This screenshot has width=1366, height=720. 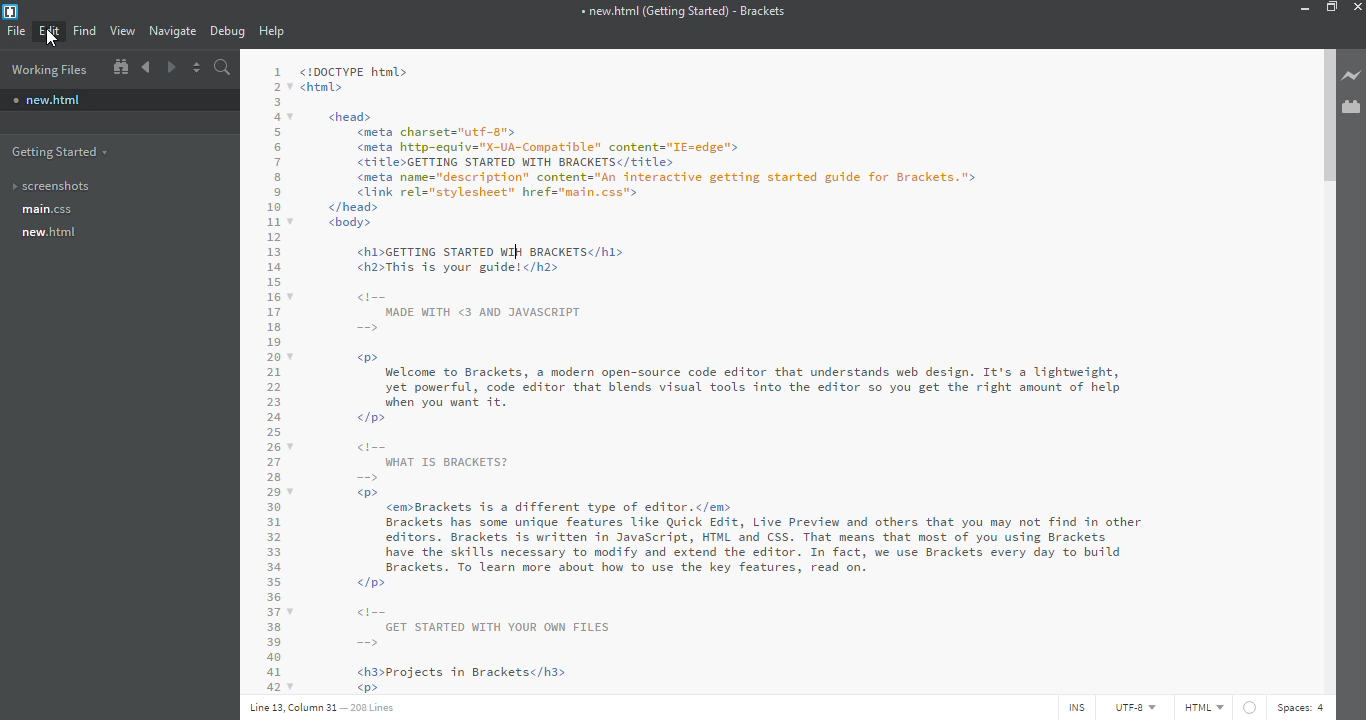 I want to click on find, so click(x=86, y=31).